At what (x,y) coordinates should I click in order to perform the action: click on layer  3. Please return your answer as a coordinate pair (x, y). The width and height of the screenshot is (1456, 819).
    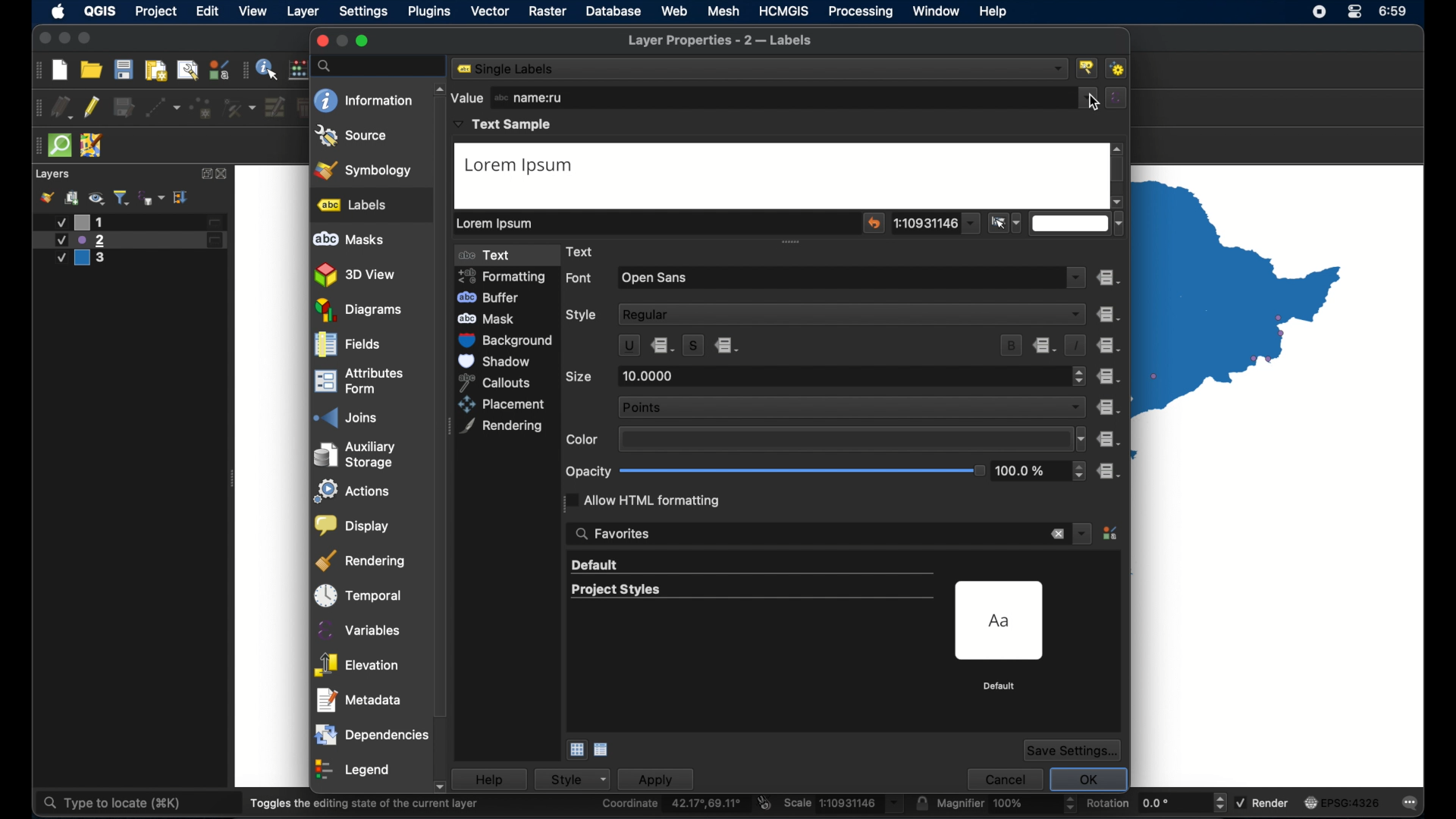
    Looking at the image, I should click on (89, 259).